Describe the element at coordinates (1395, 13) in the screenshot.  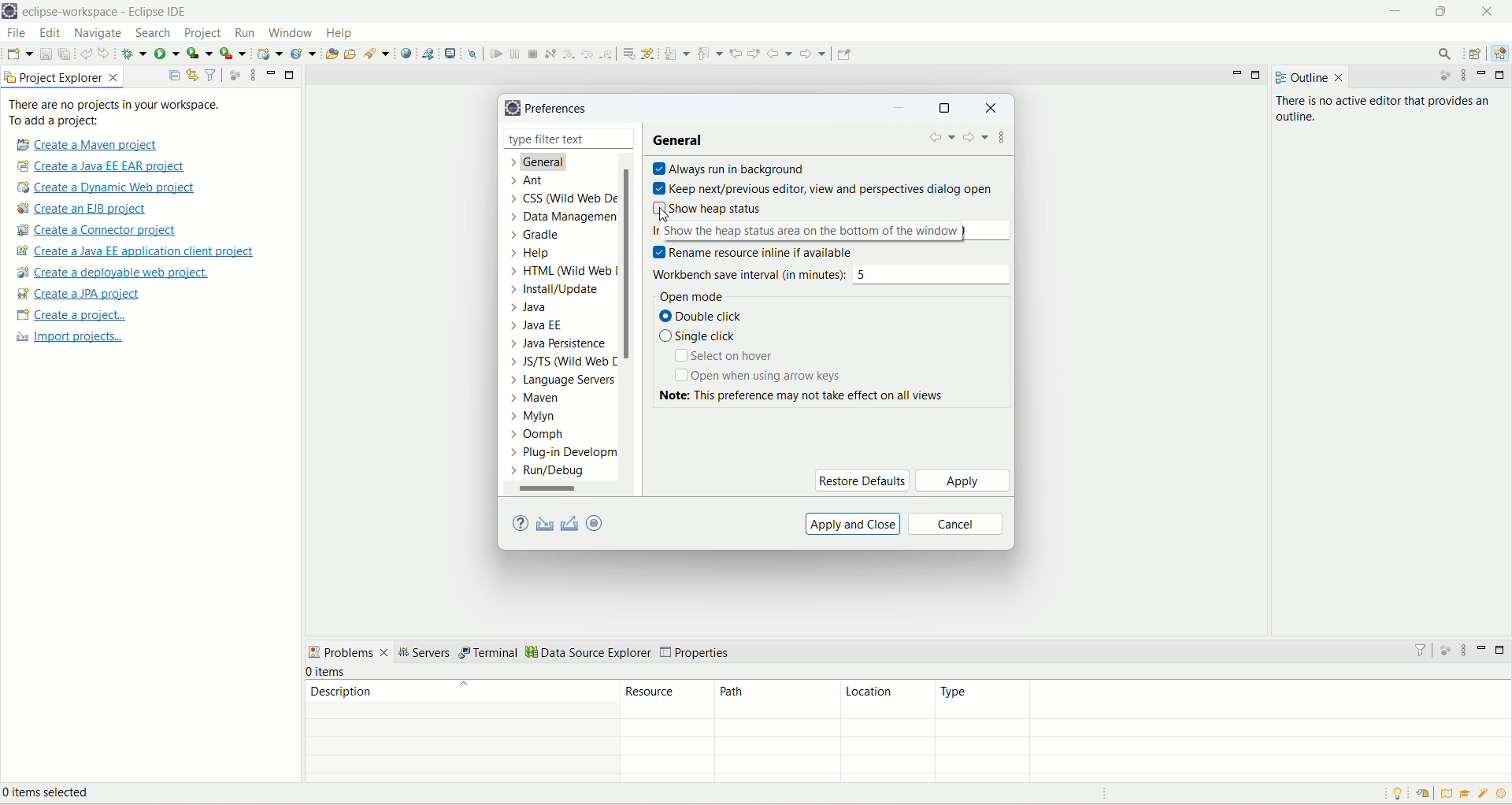
I see `minimize` at that location.